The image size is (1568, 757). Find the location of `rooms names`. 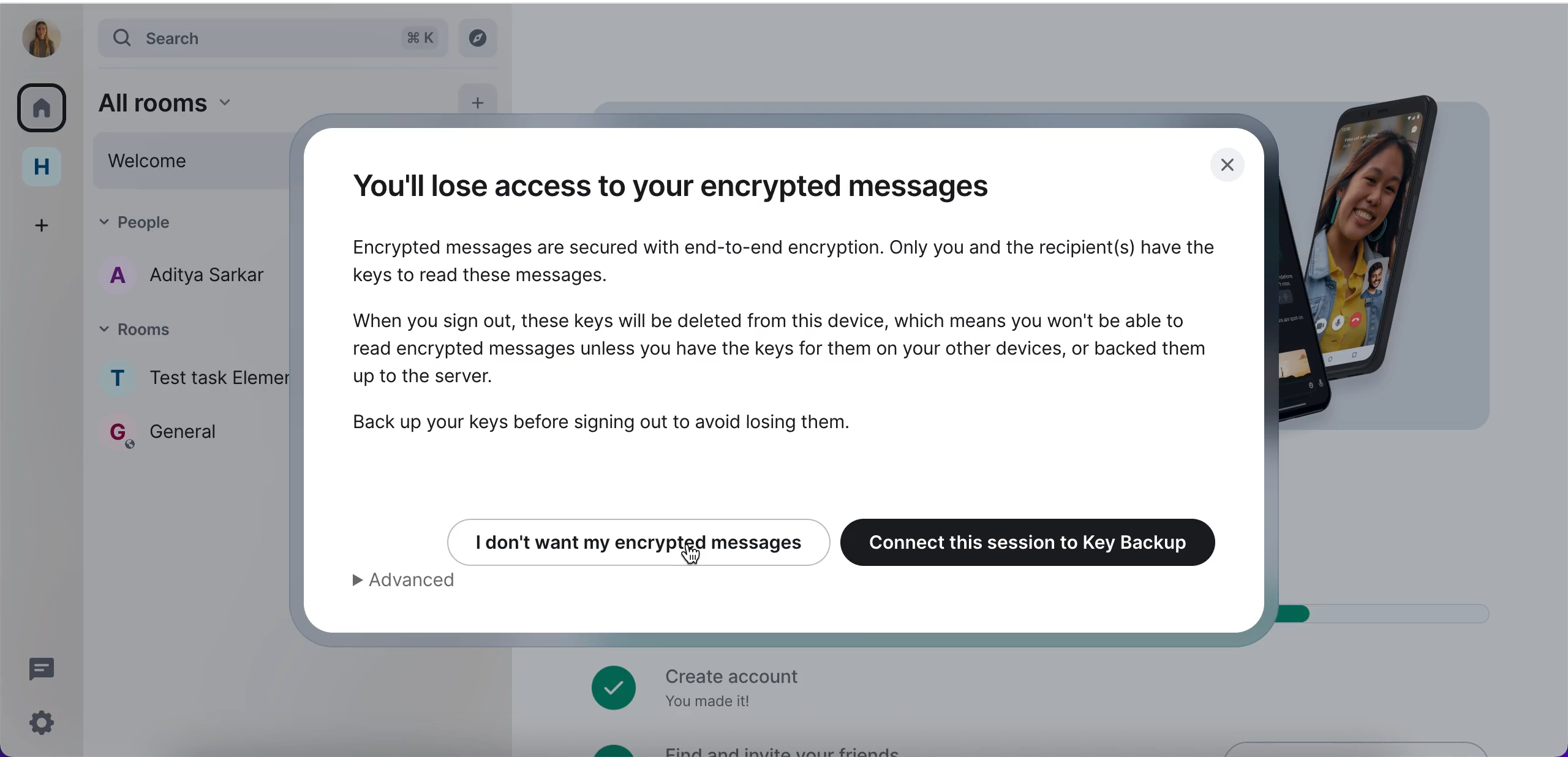

rooms names is located at coordinates (194, 371).